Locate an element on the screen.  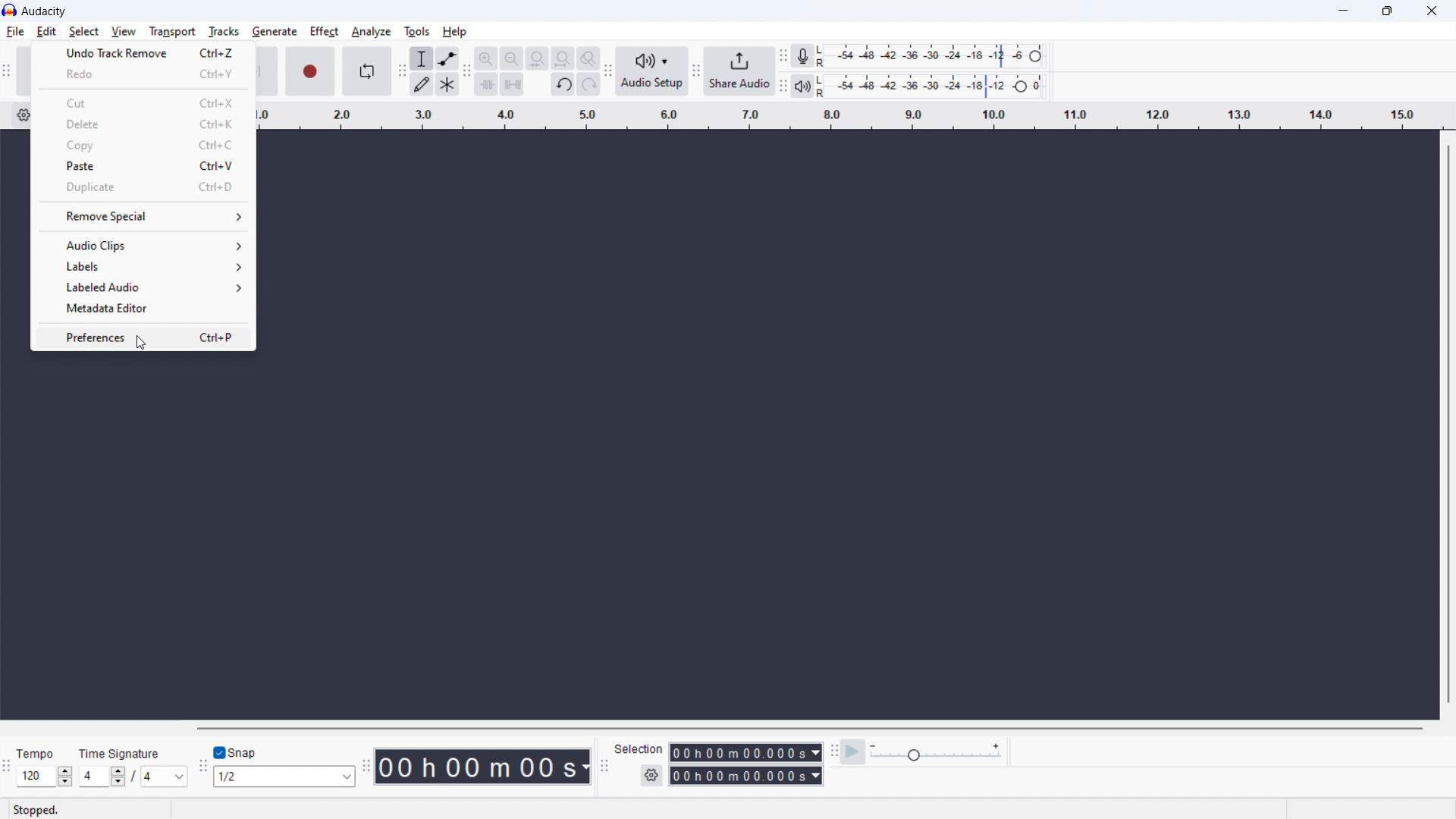
selection tool is located at coordinates (422, 58).